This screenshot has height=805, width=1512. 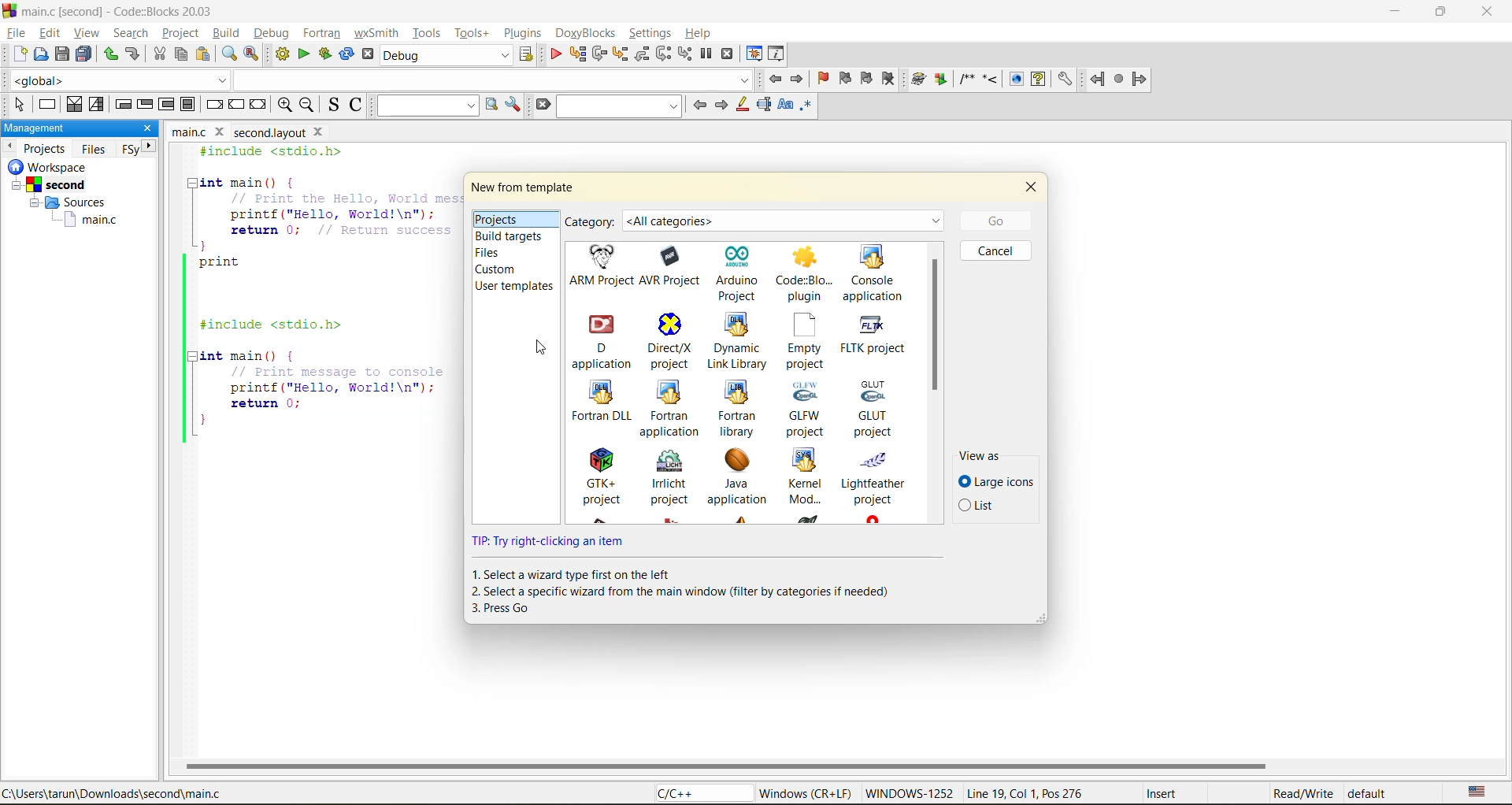 I want to click on next instruction, so click(x=664, y=53).